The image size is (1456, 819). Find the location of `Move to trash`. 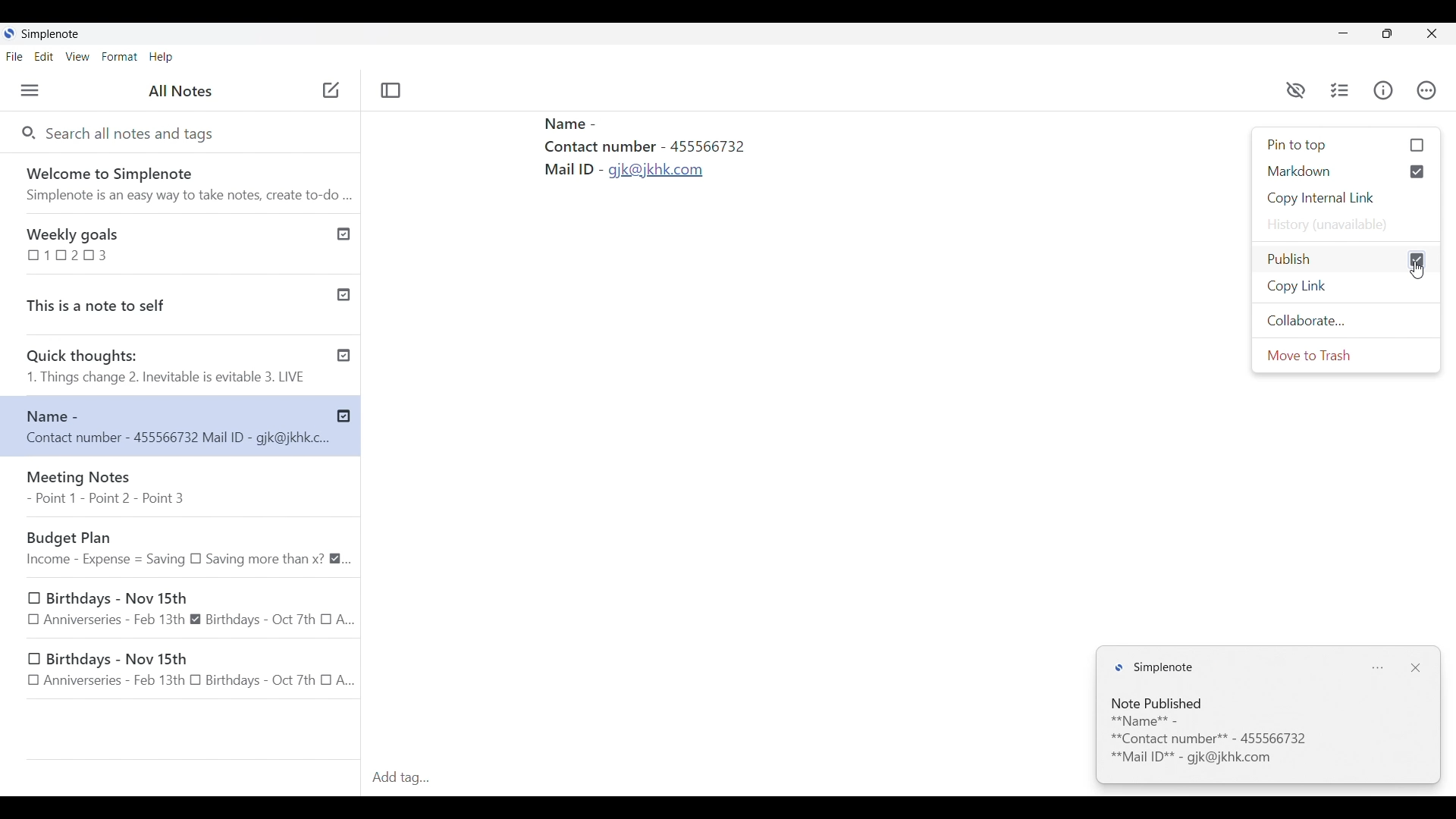

Move to trash is located at coordinates (1347, 355).